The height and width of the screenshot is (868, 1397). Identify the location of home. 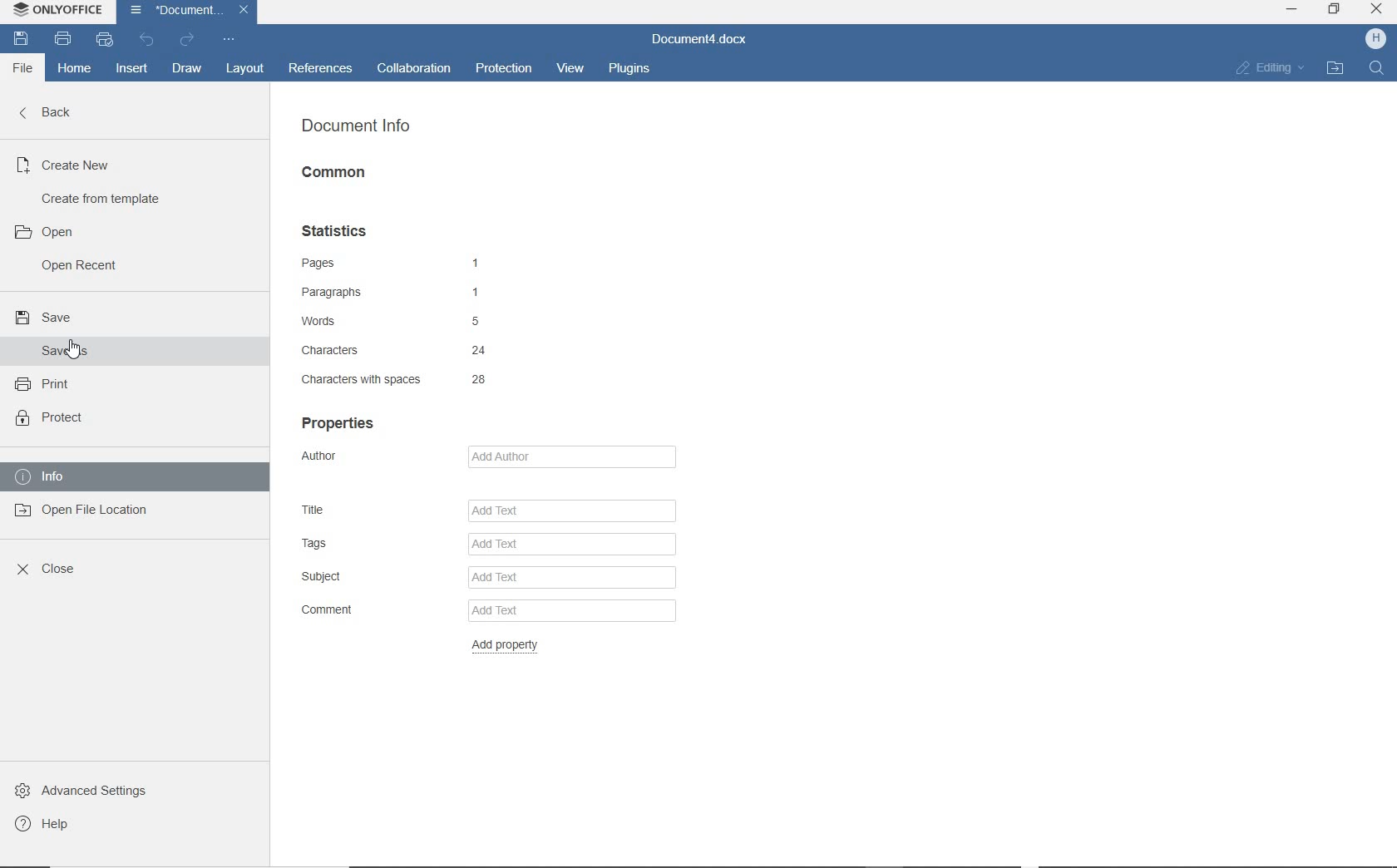
(76, 72).